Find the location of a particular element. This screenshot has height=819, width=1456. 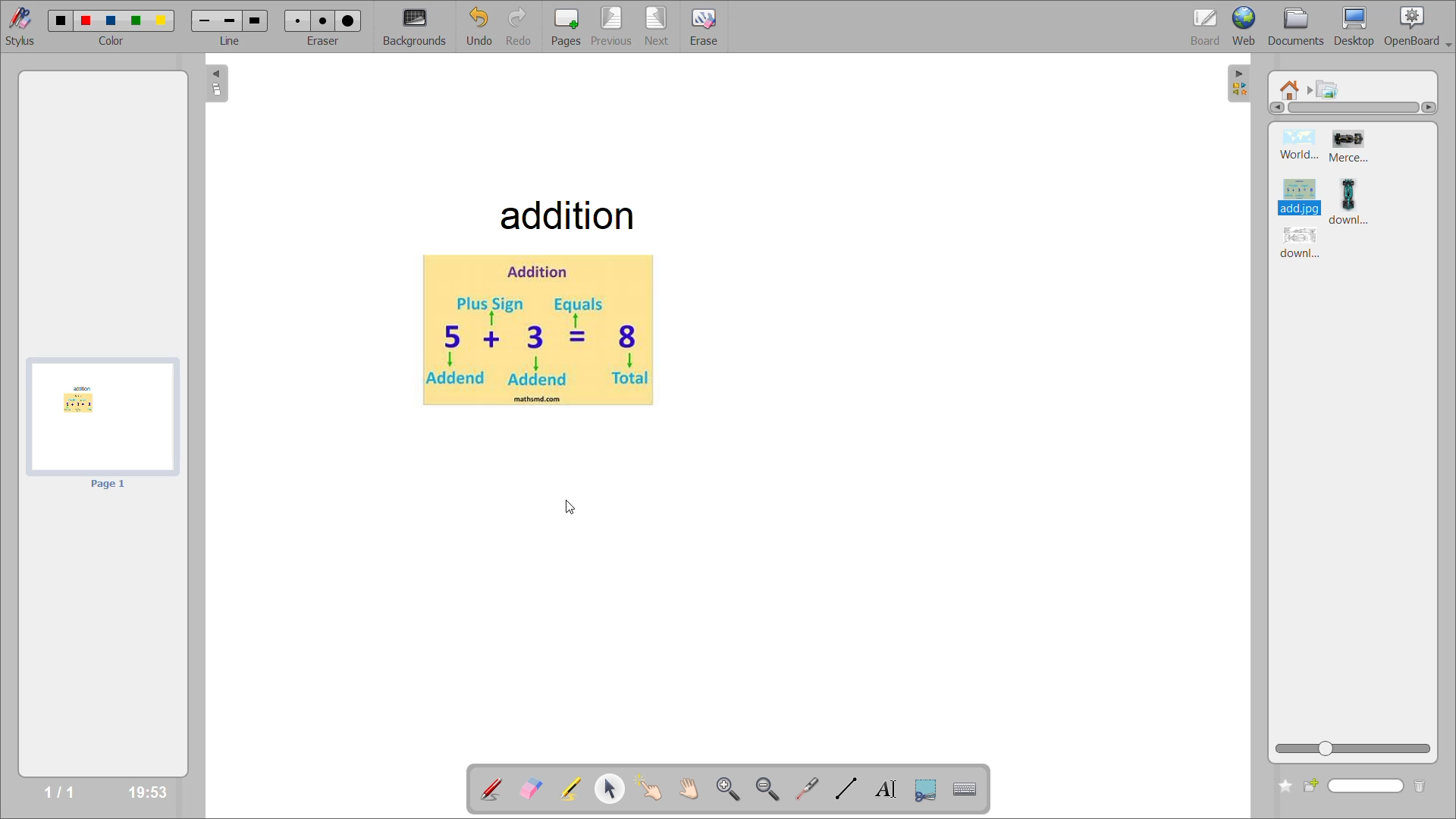

erase annotation is located at coordinates (532, 789).